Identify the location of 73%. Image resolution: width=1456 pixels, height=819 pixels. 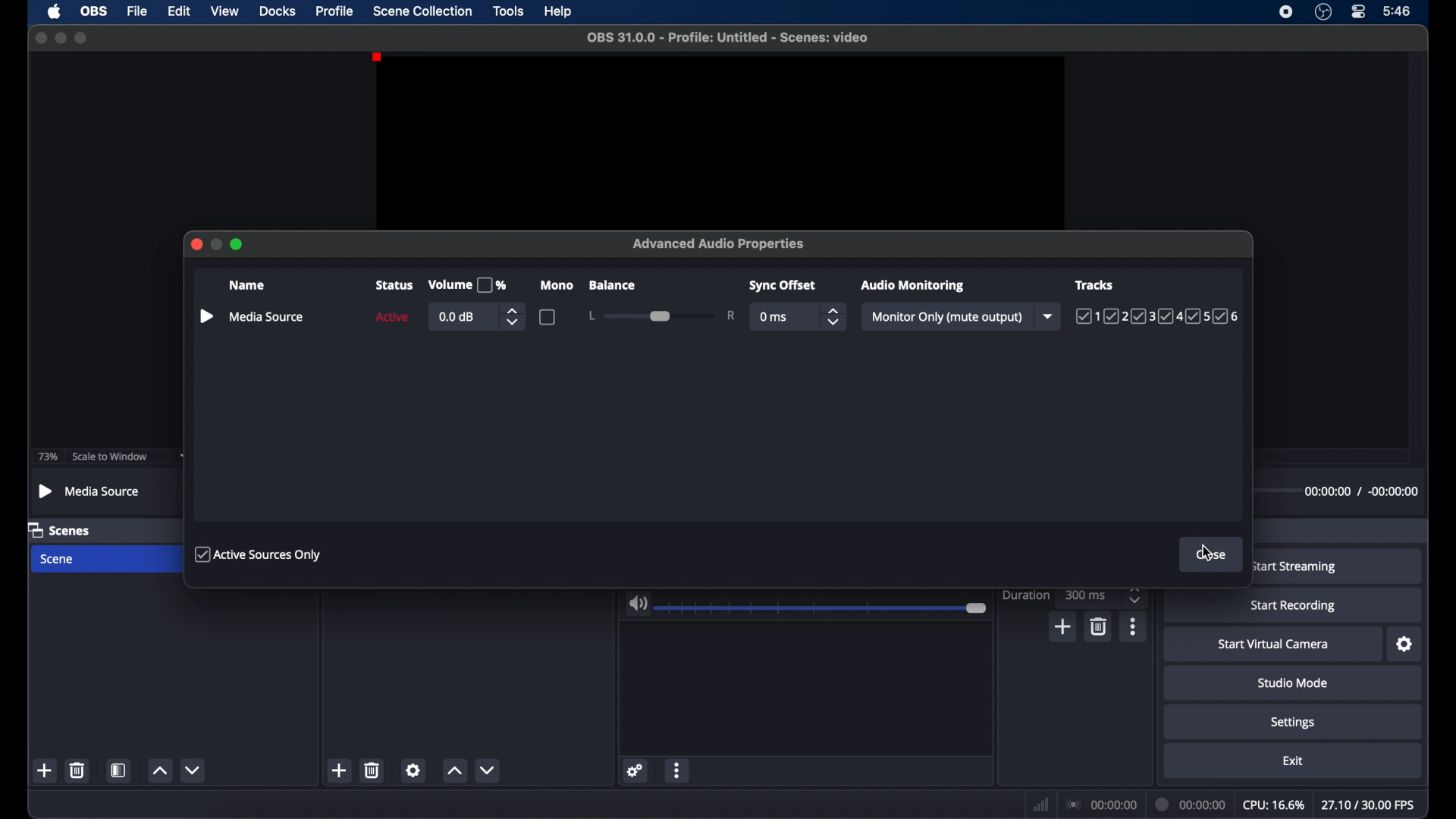
(47, 457).